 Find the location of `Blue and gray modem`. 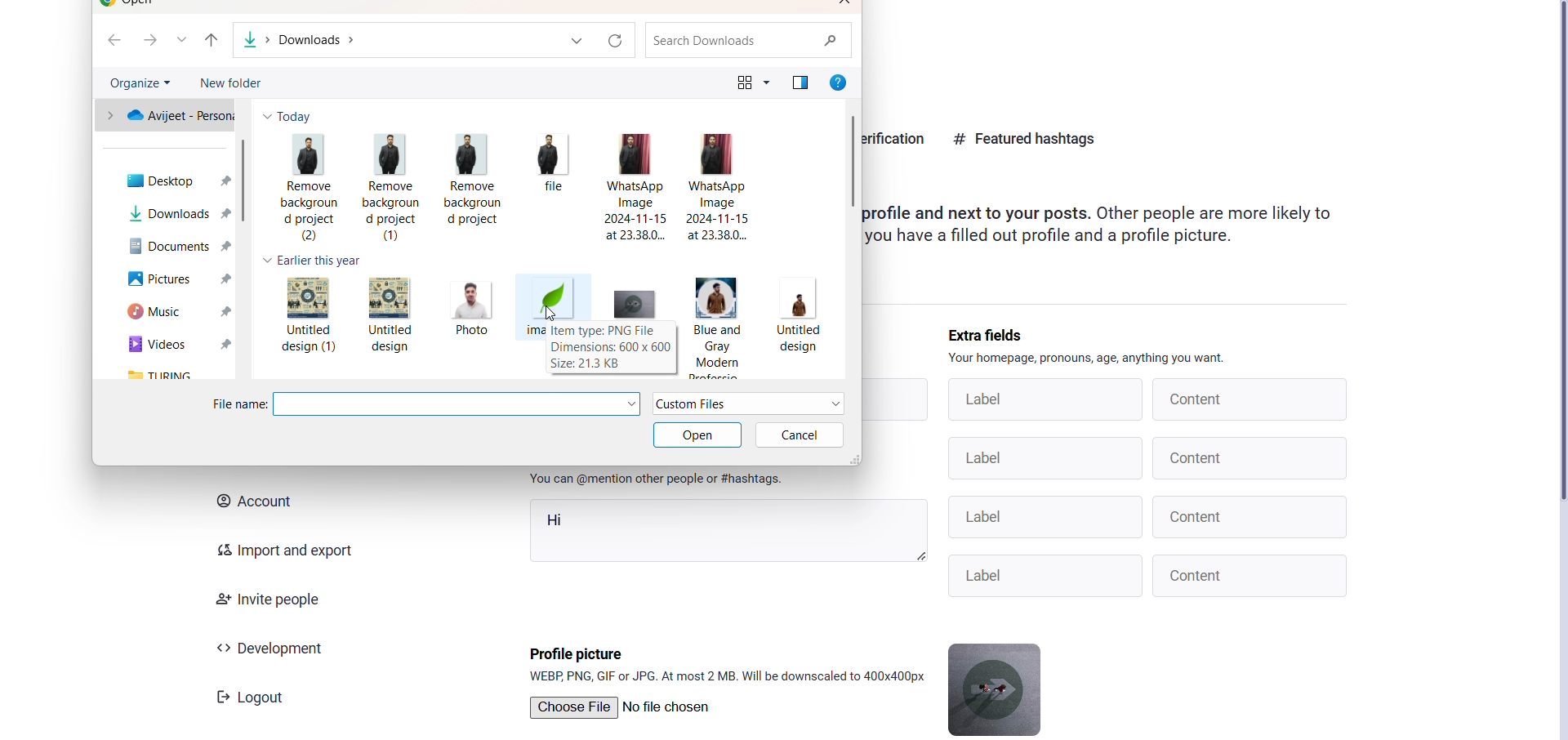

Blue and gray modem is located at coordinates (716, 323).